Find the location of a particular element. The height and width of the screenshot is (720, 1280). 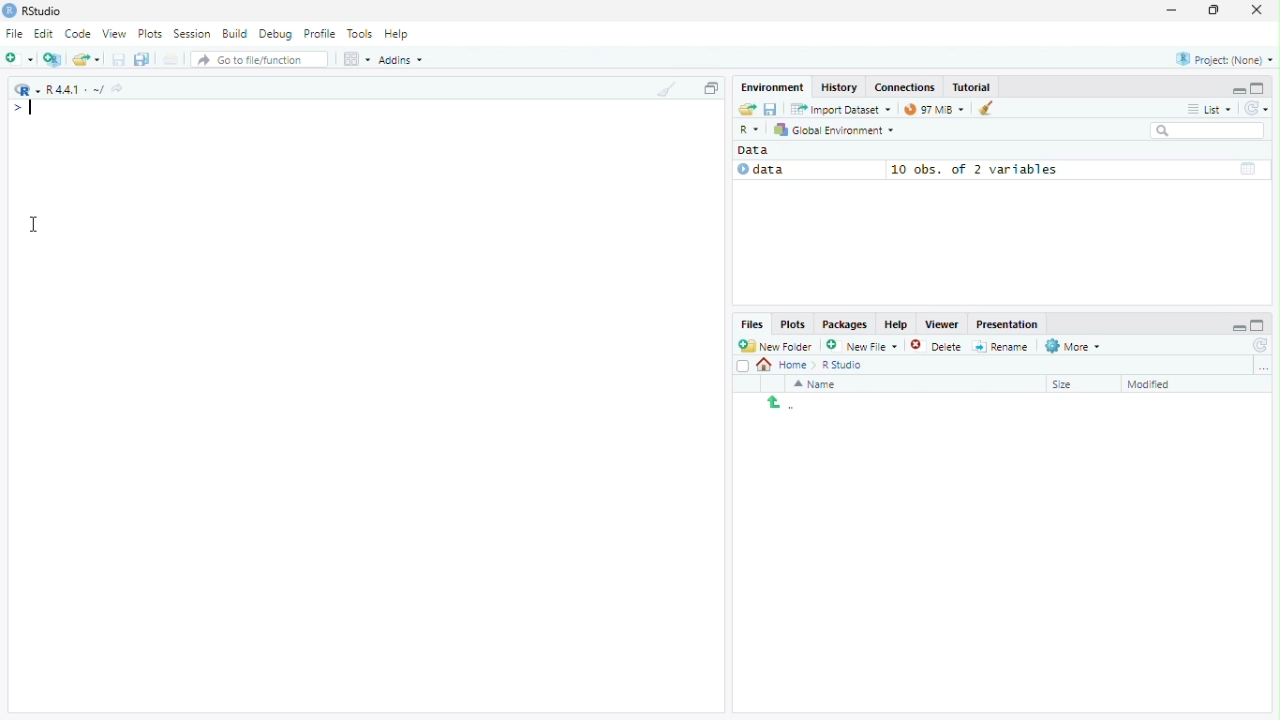

R studio is located at coordinates (842, 365).